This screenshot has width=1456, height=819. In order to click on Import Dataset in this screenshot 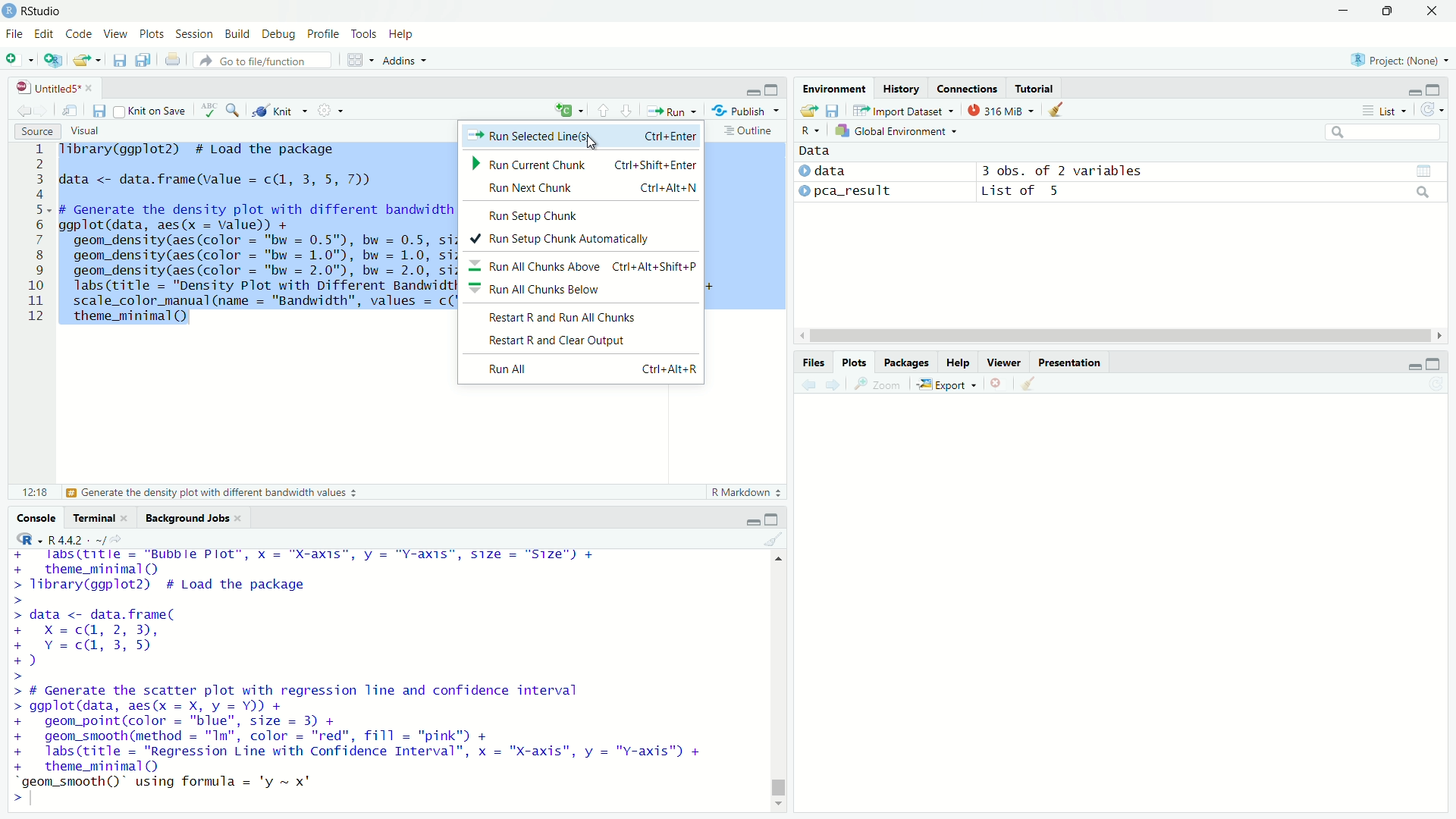, I will do `click(905, 110)`.